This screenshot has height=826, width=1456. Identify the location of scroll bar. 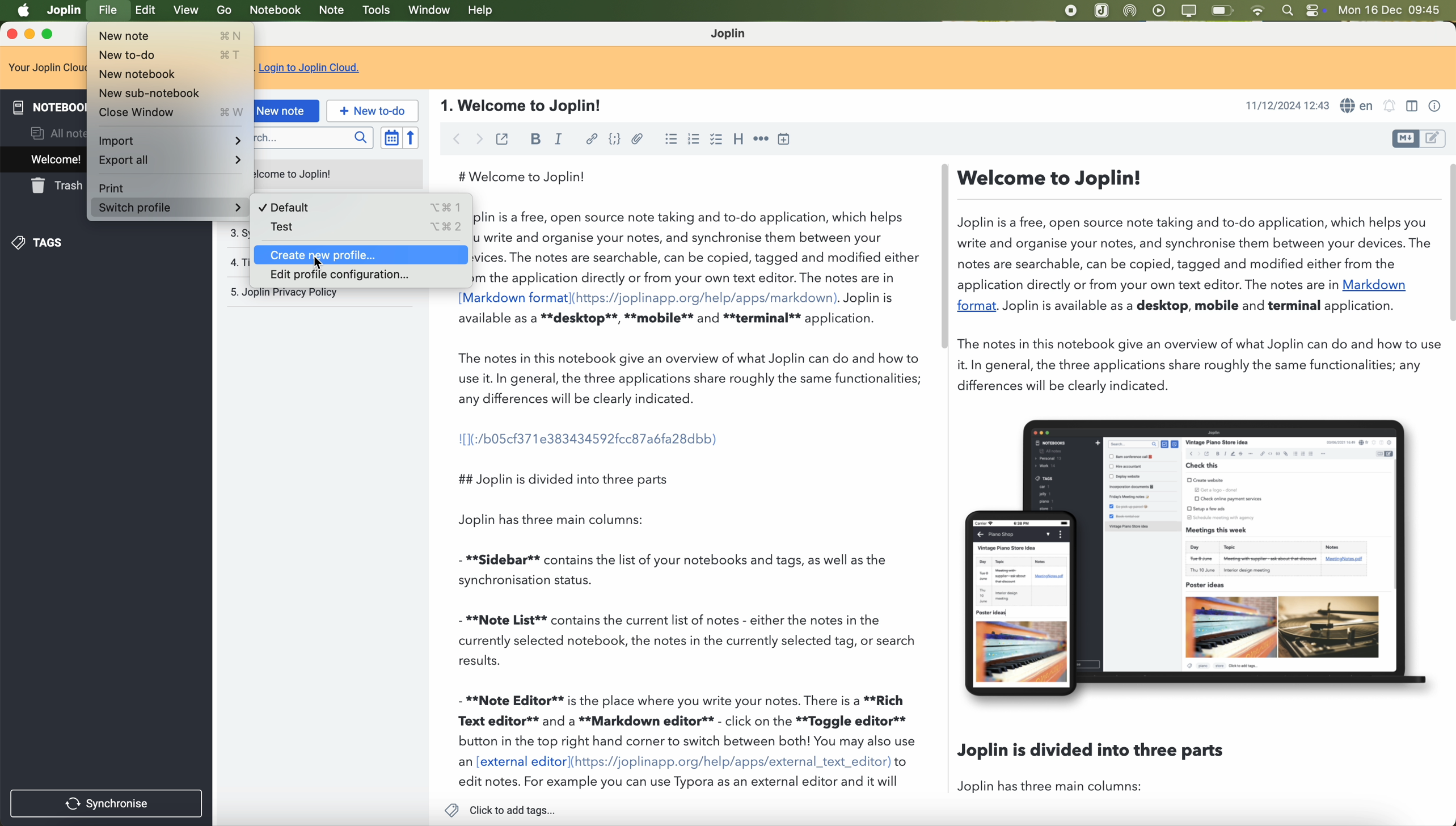
(1446, 244).